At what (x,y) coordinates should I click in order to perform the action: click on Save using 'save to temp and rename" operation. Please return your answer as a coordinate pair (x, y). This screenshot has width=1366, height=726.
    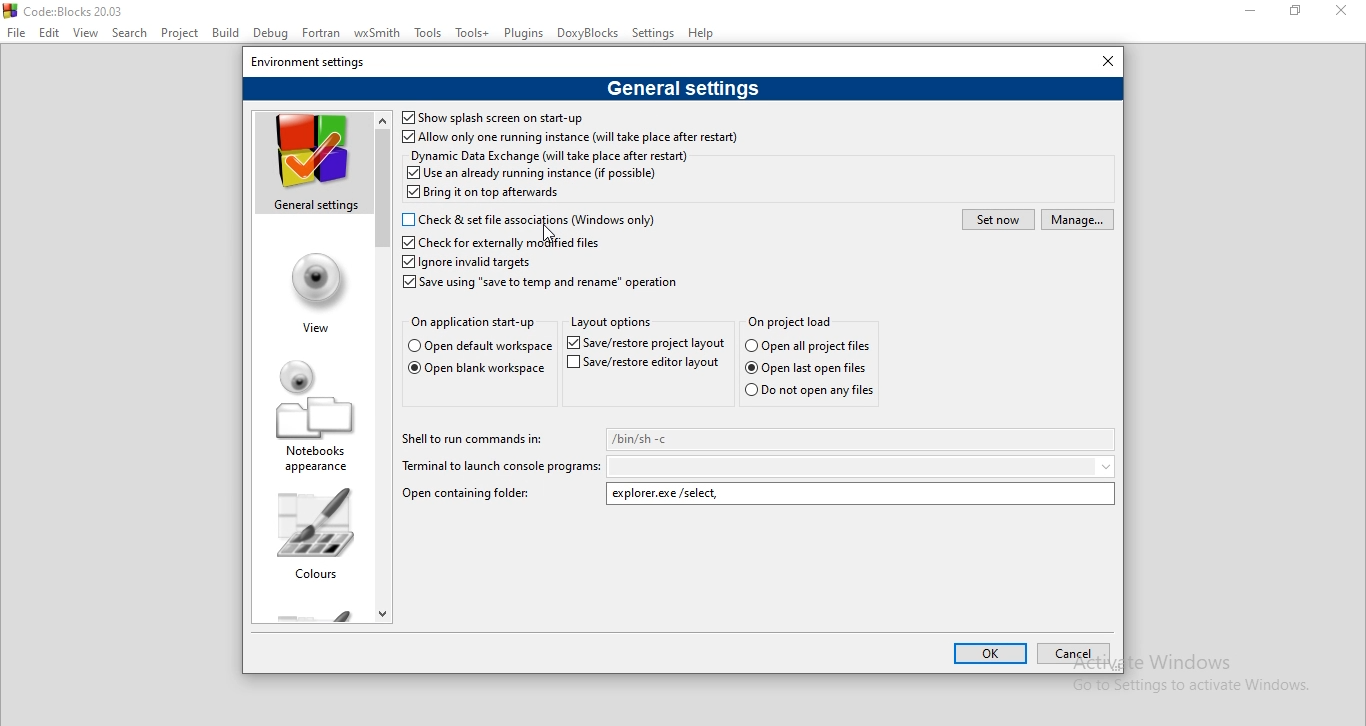
    Looking at the image, I should click on (544, 283).